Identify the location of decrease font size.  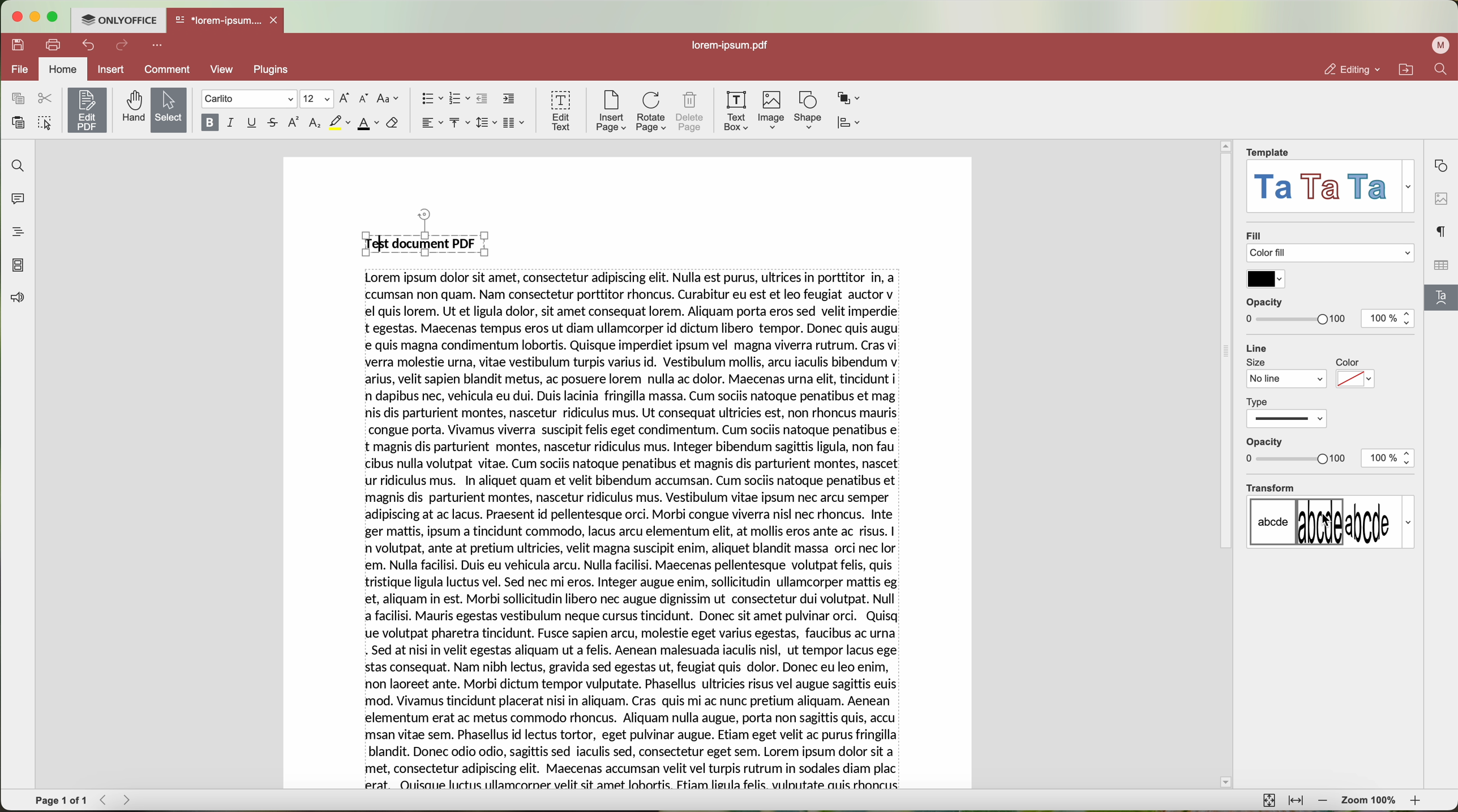
(366, 98).